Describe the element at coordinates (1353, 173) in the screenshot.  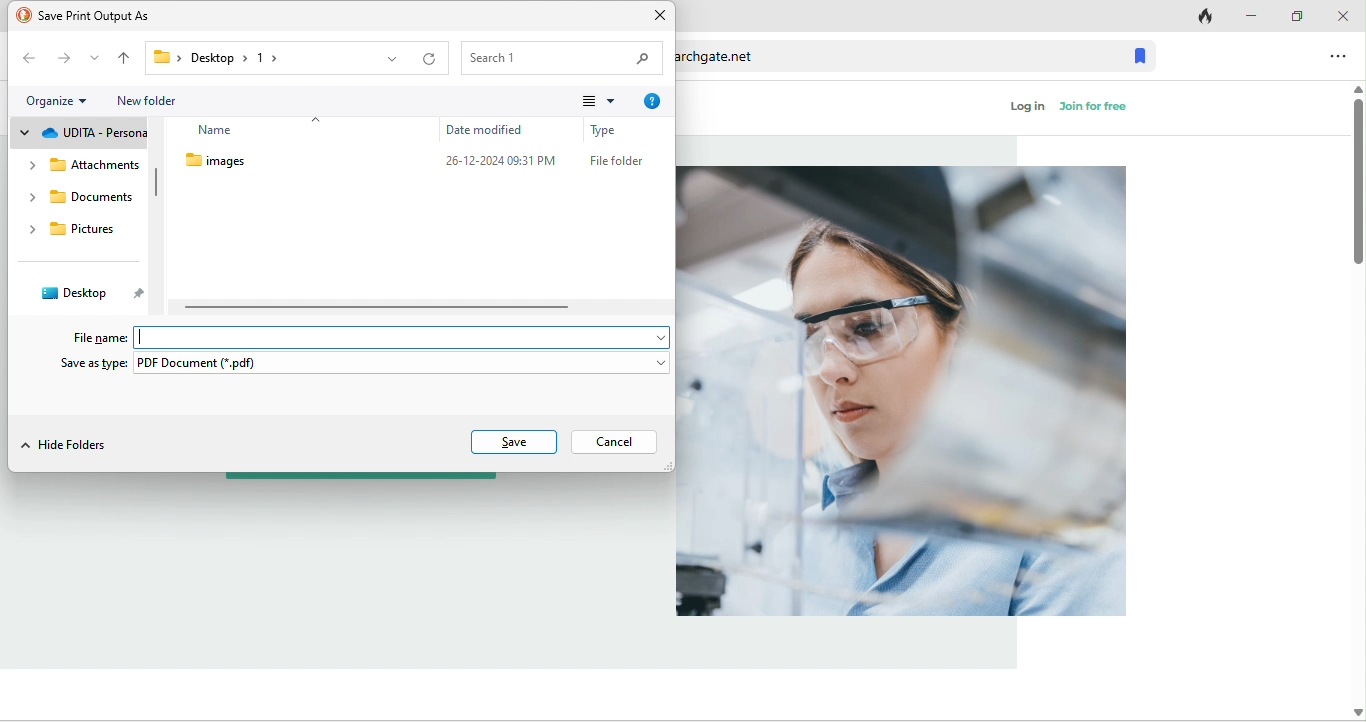
I see `vertical scroll bar` at that location.